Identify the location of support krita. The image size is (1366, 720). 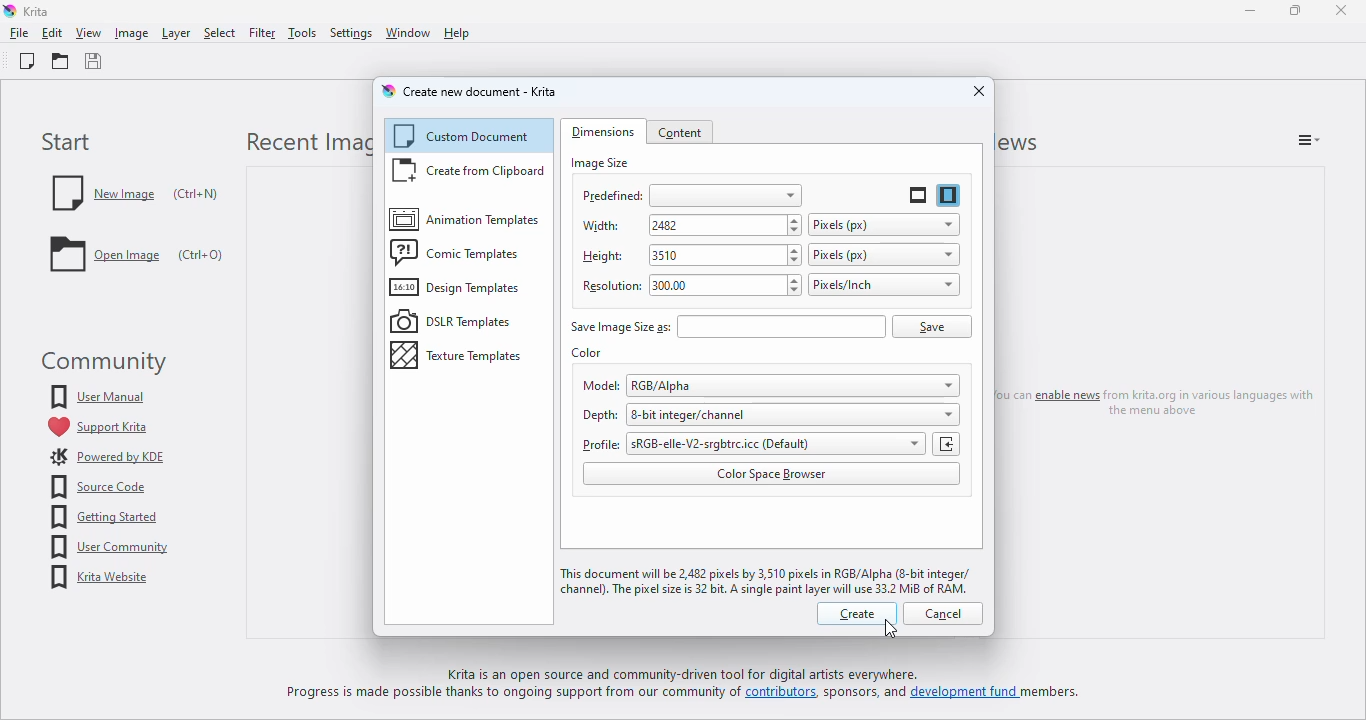
(97, 427).